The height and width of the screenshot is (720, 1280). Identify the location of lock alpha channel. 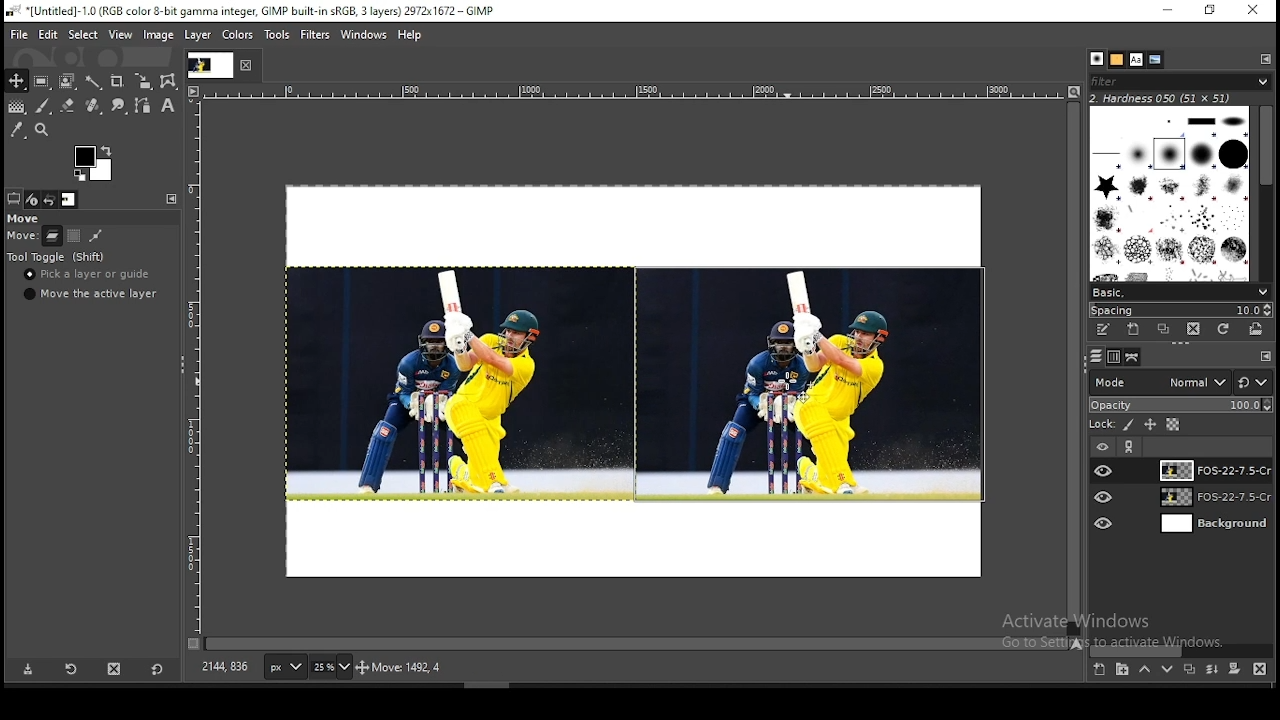
(1172, 425).